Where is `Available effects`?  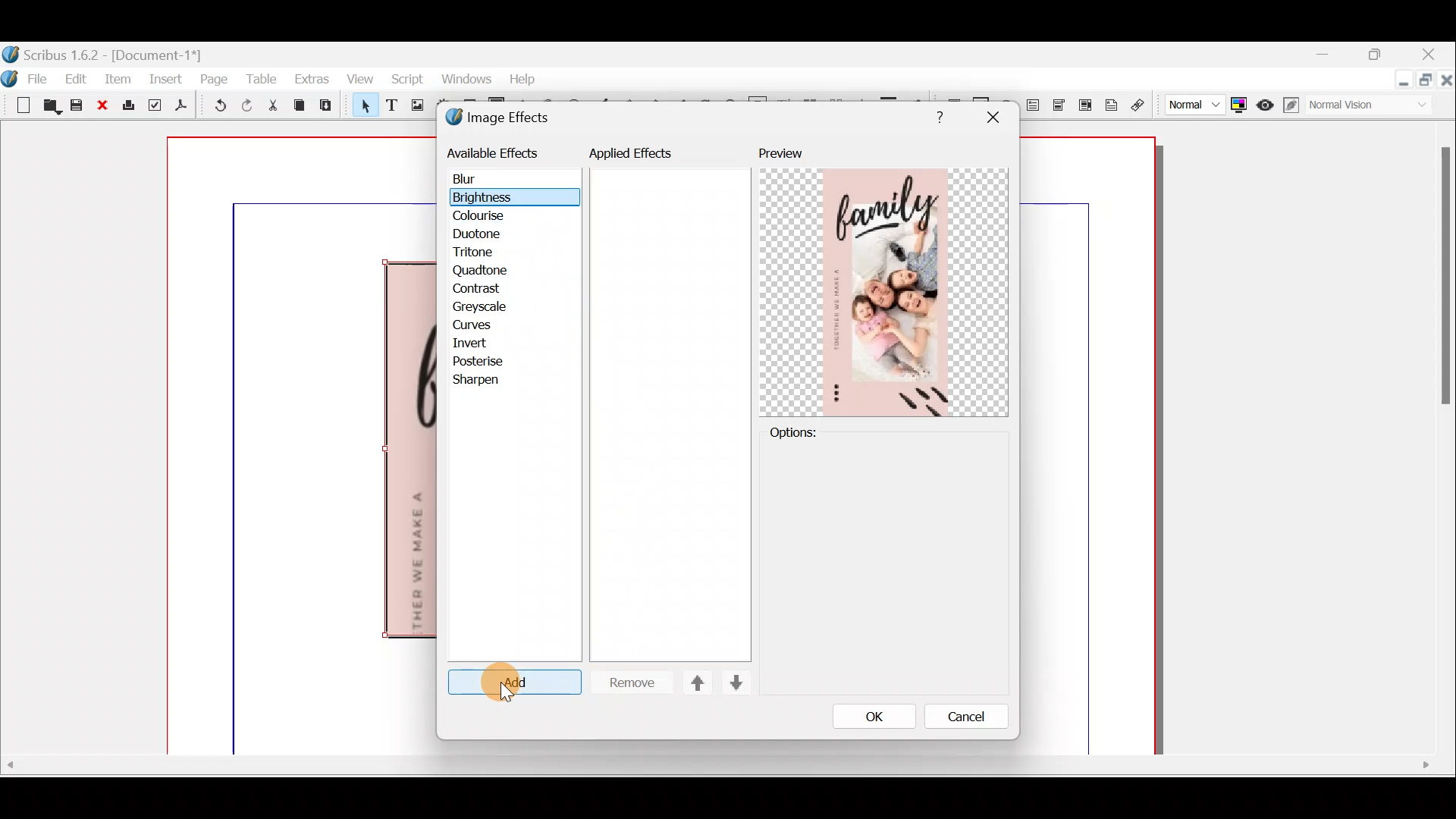
Available effects is located at coordinates (495, 152).